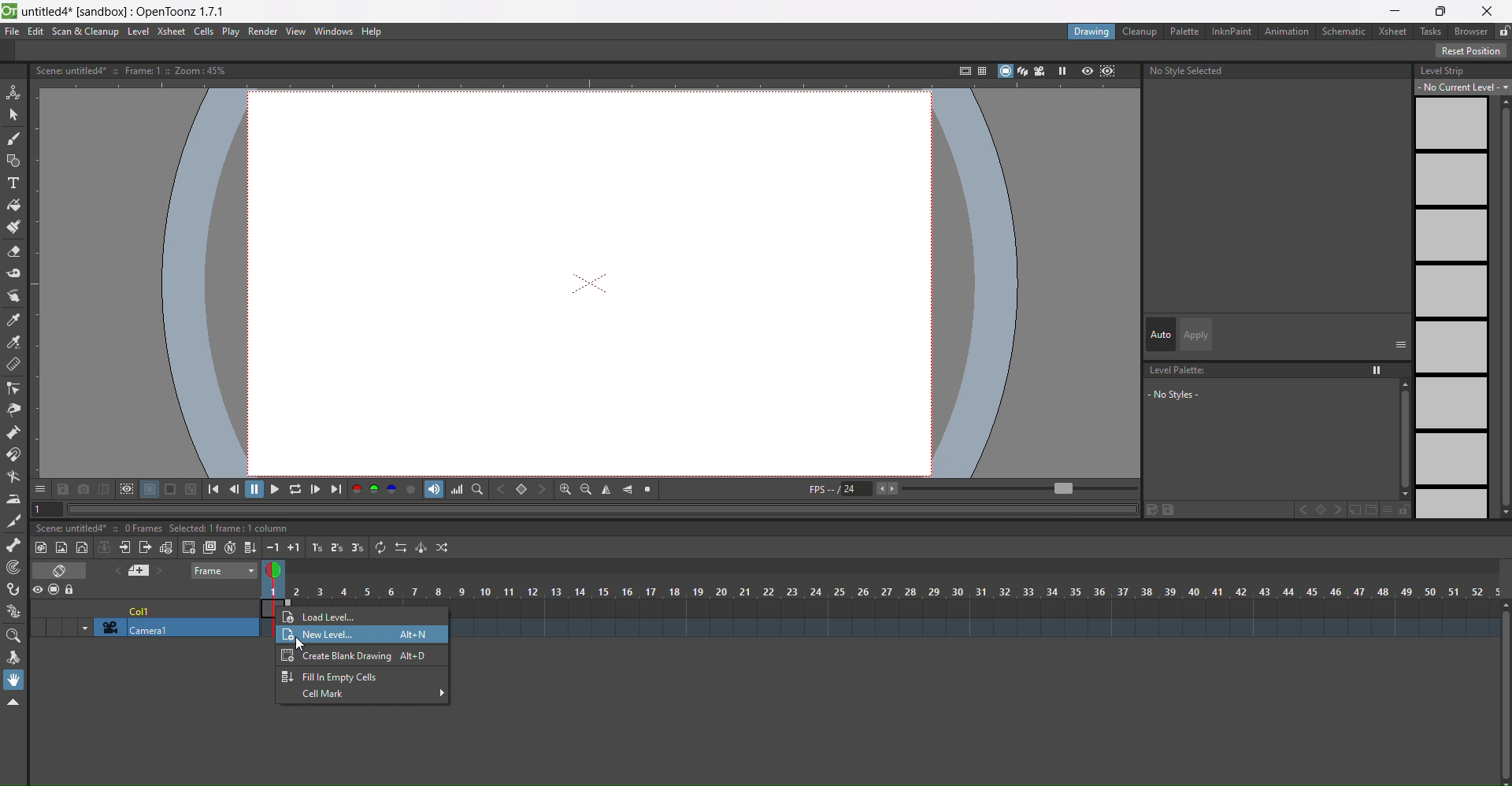 This screenshot has width=1512, height=786. What do you see at coordinates (1191, 394) in the screenshot?
I see `no styles` at bounding box center [1191, 394].